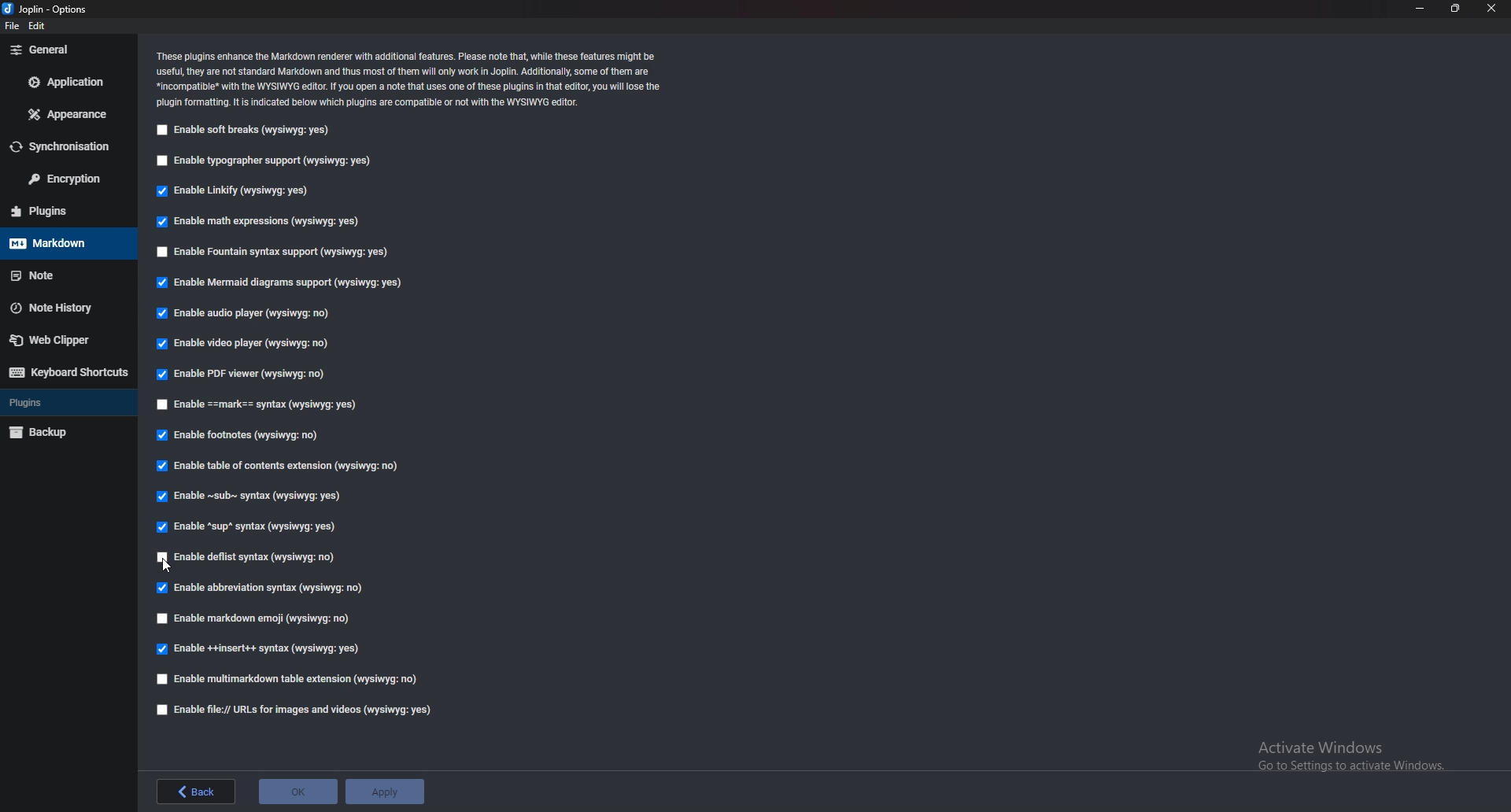 Image resolution: width=1511 pixels, height=812 pixels. What do you see at coordinates (45, 10) in the screenshot?
I see `options` at bounding box center [45, 10].